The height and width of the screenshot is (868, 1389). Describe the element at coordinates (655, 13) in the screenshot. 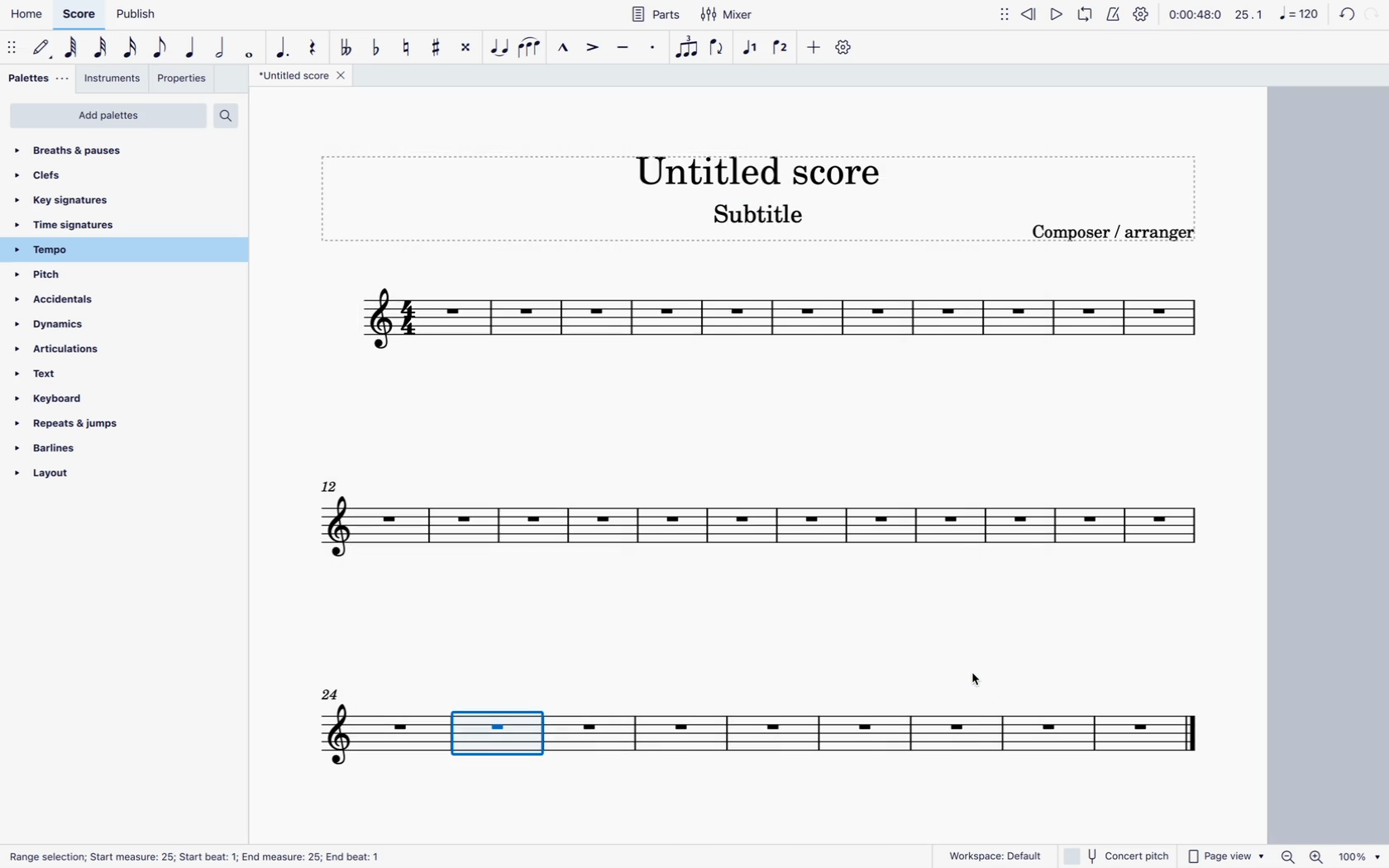

I see `parts` at that location.